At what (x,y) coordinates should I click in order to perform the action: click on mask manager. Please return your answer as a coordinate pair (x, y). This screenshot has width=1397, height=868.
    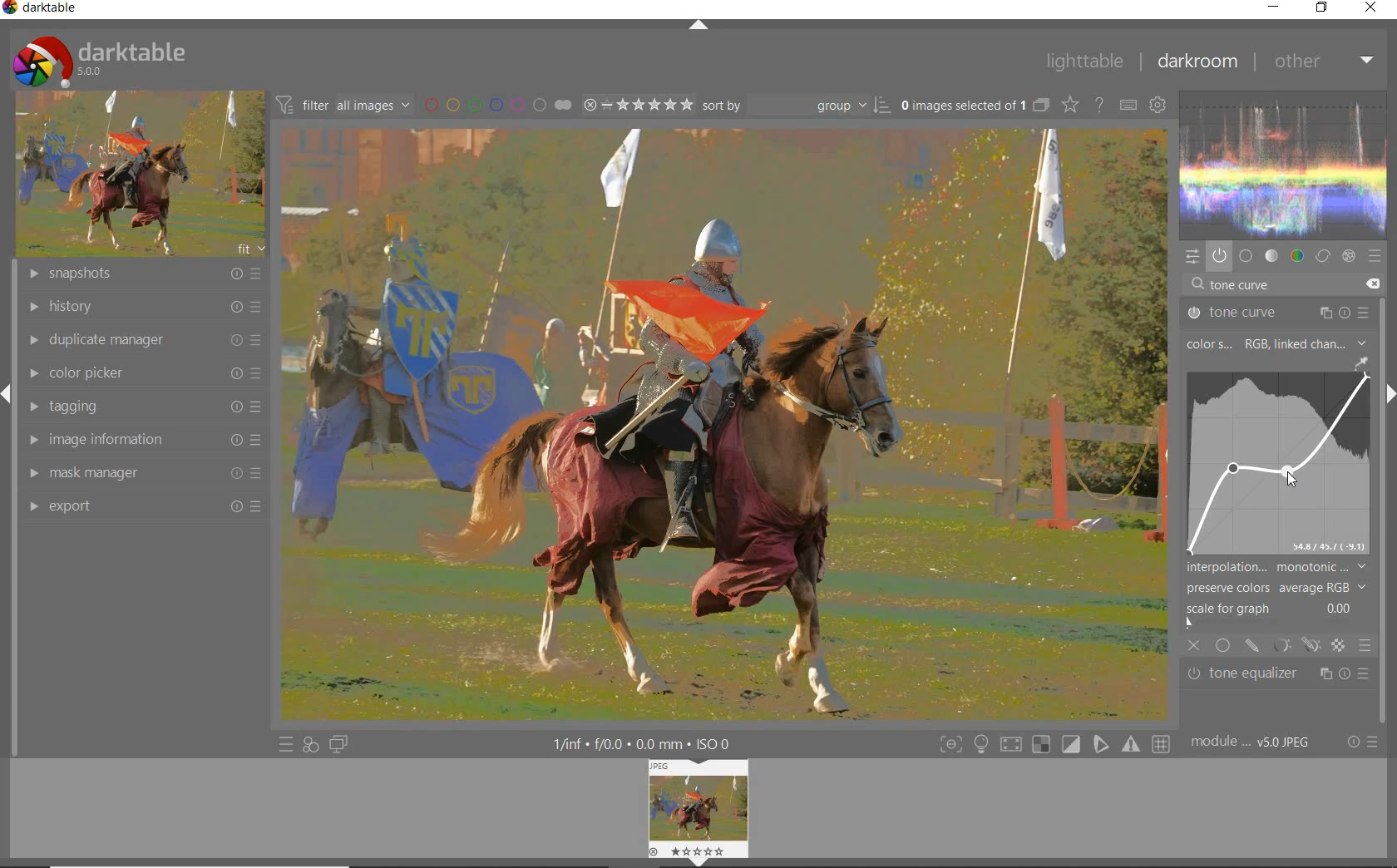
    Looking at the image, I should click on (141, 475).